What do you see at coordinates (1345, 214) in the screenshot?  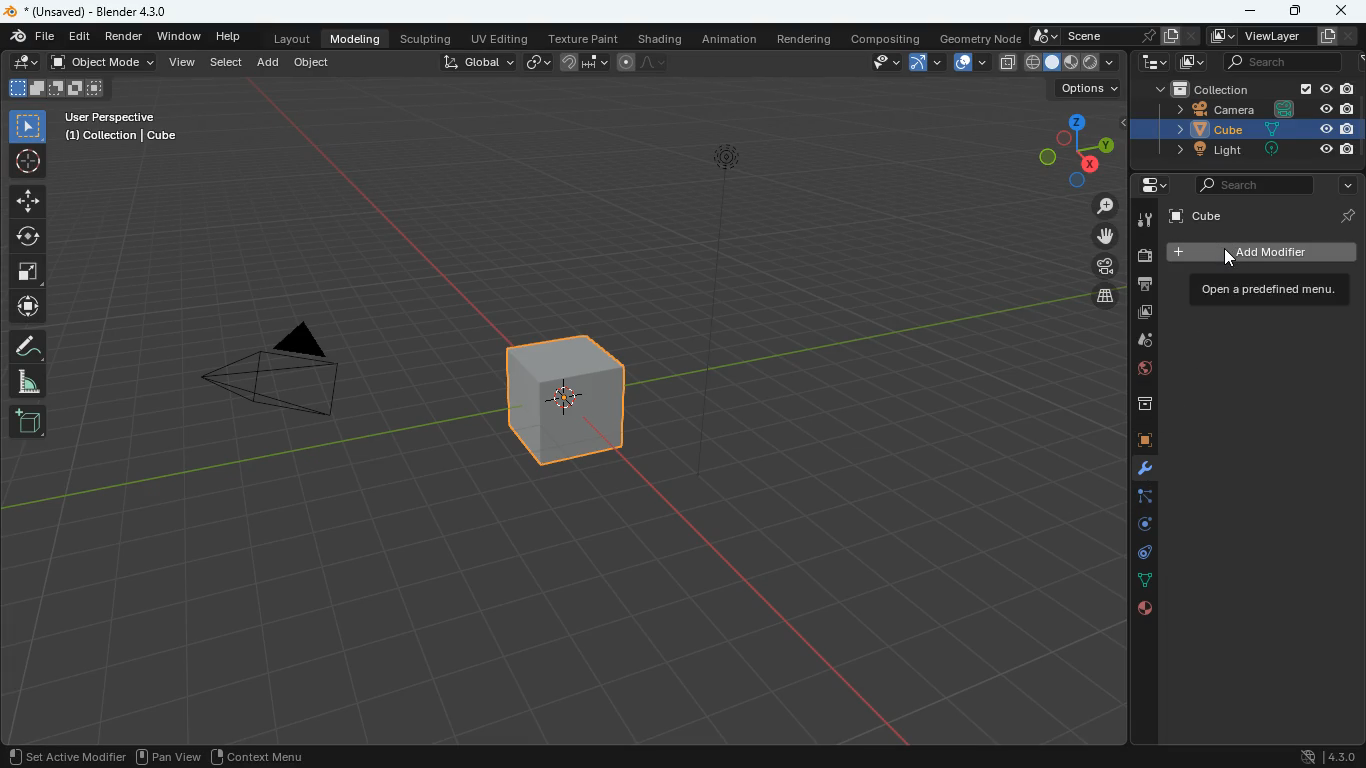 I see `` at bounding box center [1345, 214].